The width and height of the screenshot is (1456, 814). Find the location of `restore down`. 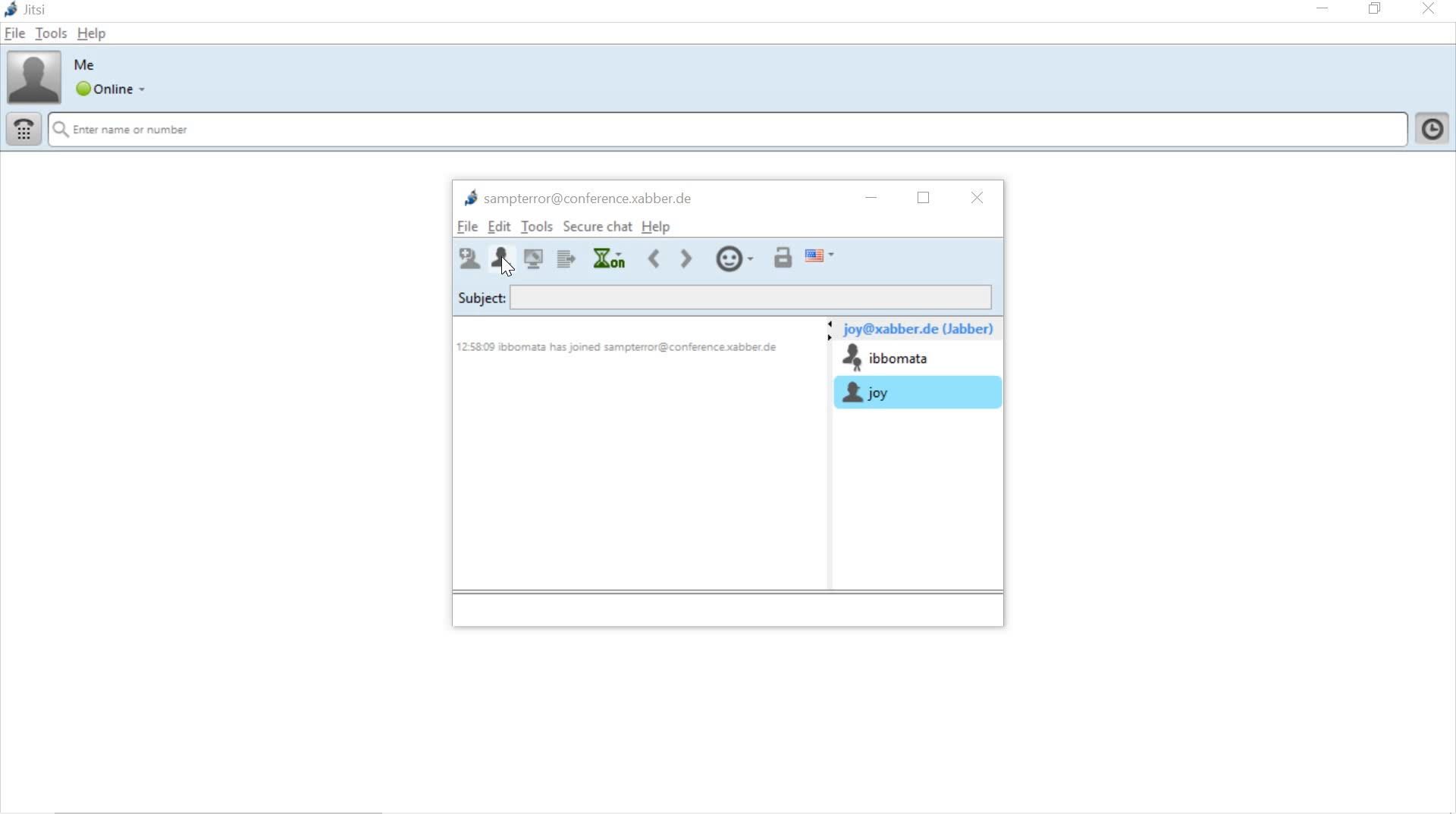

restore down is located at coordinates (1374, 9).